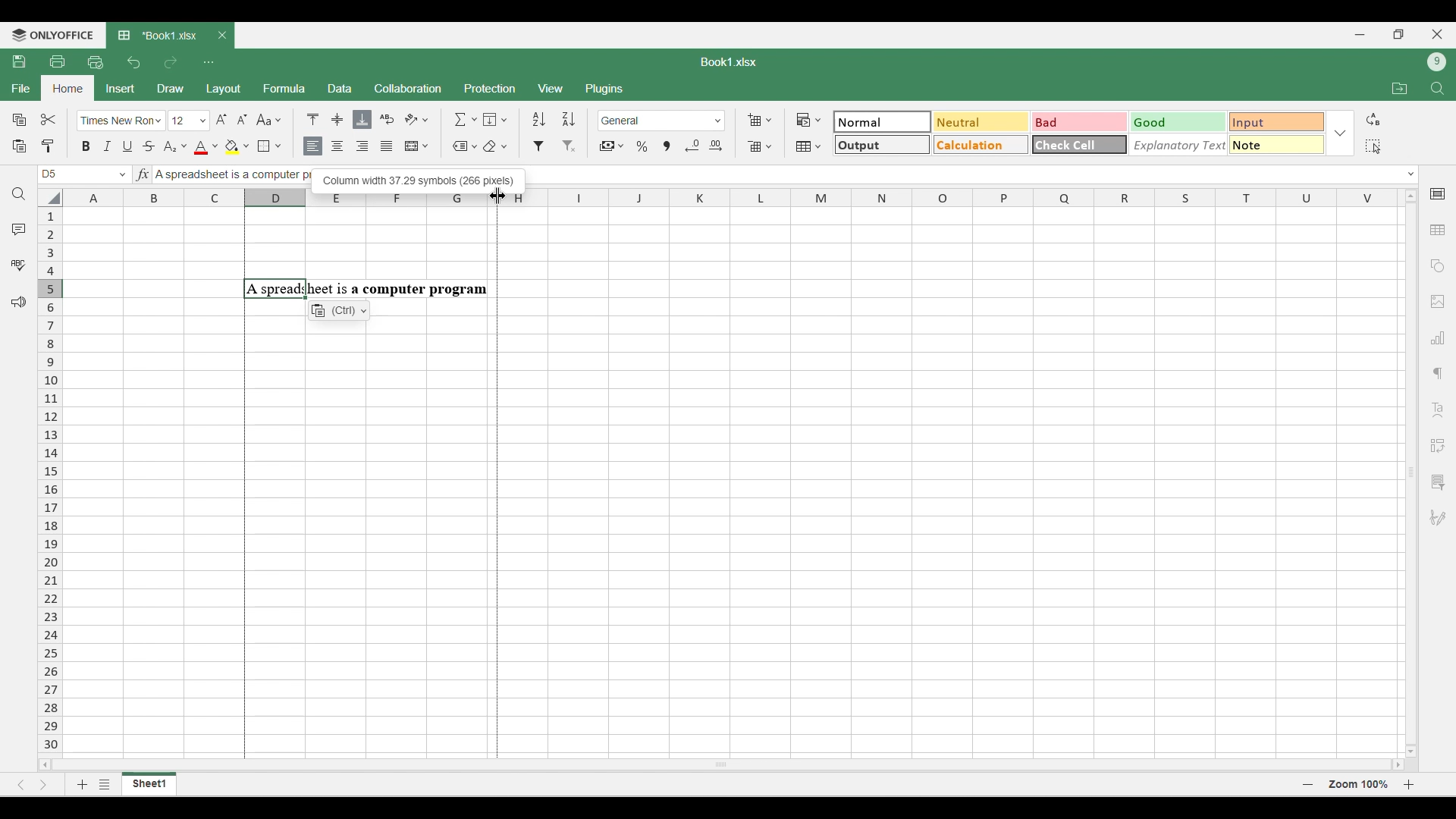 This screenshot has height=819, width=1456. Describe the element at coordinates (350, 147) in the screenshot. I see `Alignment options` at that location.